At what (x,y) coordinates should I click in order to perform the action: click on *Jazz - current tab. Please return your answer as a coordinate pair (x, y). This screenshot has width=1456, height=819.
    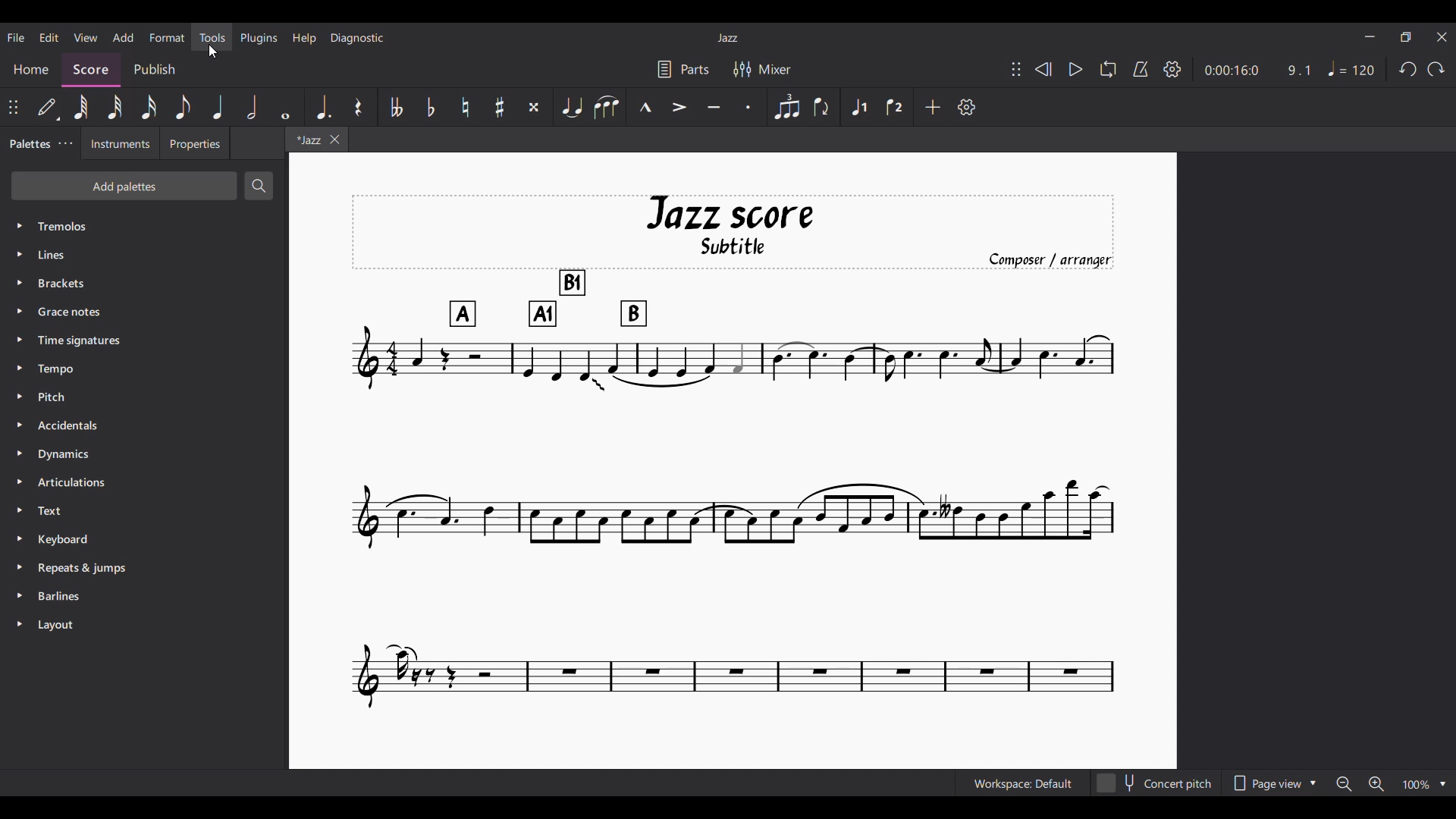
    Looking at the image, I should click on (306, 139).